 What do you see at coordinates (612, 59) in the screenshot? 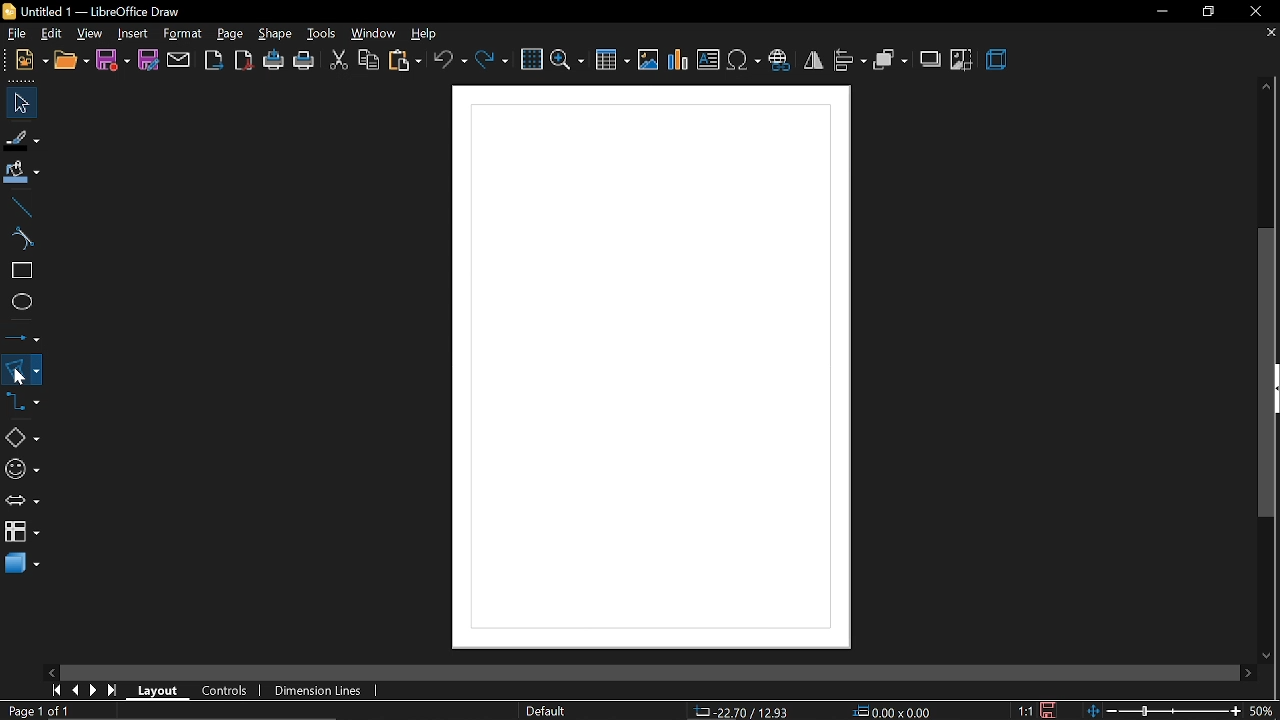
I see `insert table` at bounding box center [612, 59].